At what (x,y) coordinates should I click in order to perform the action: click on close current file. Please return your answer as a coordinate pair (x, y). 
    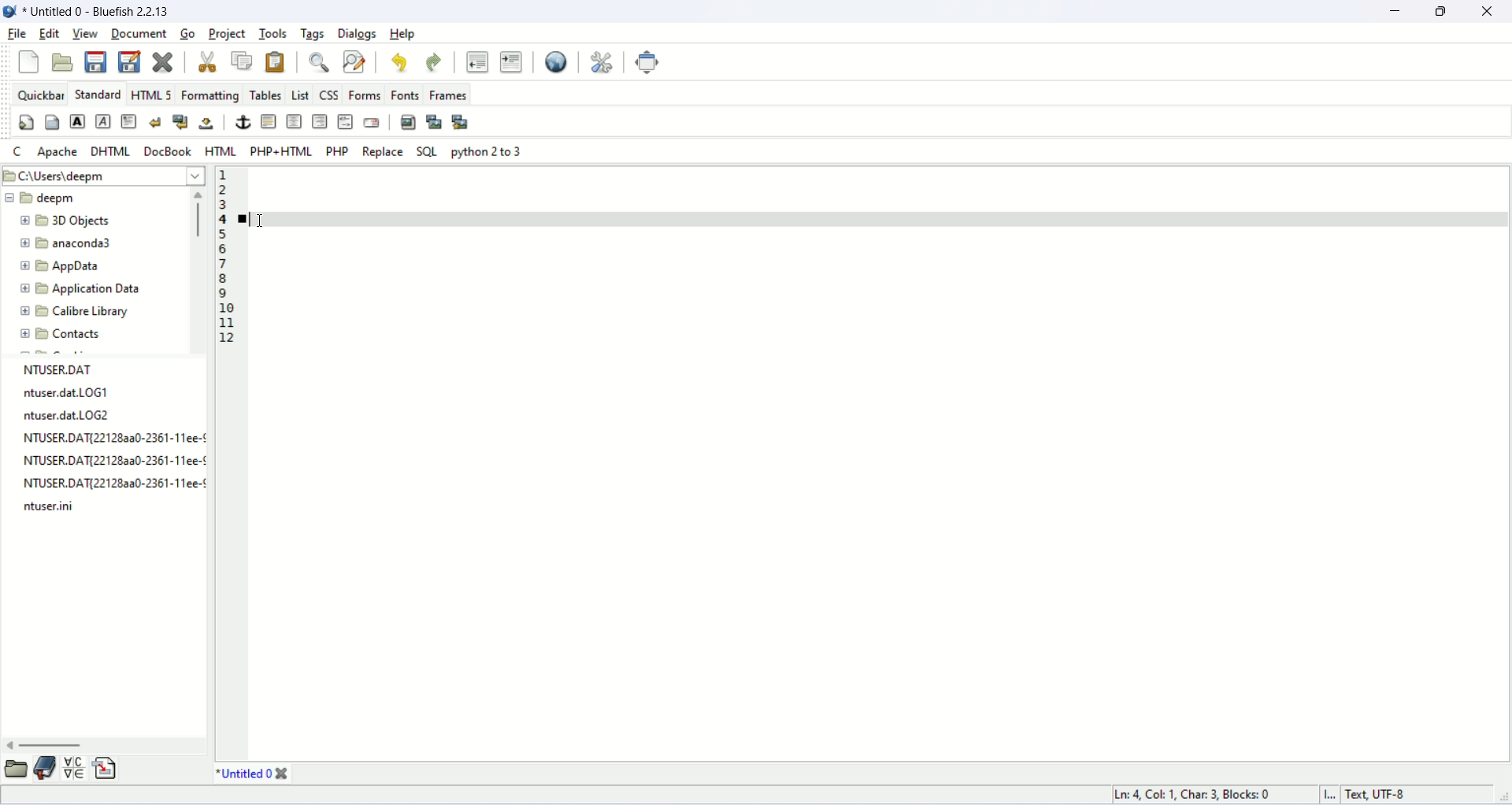
    Looking at the image, I should click on (163, 61).